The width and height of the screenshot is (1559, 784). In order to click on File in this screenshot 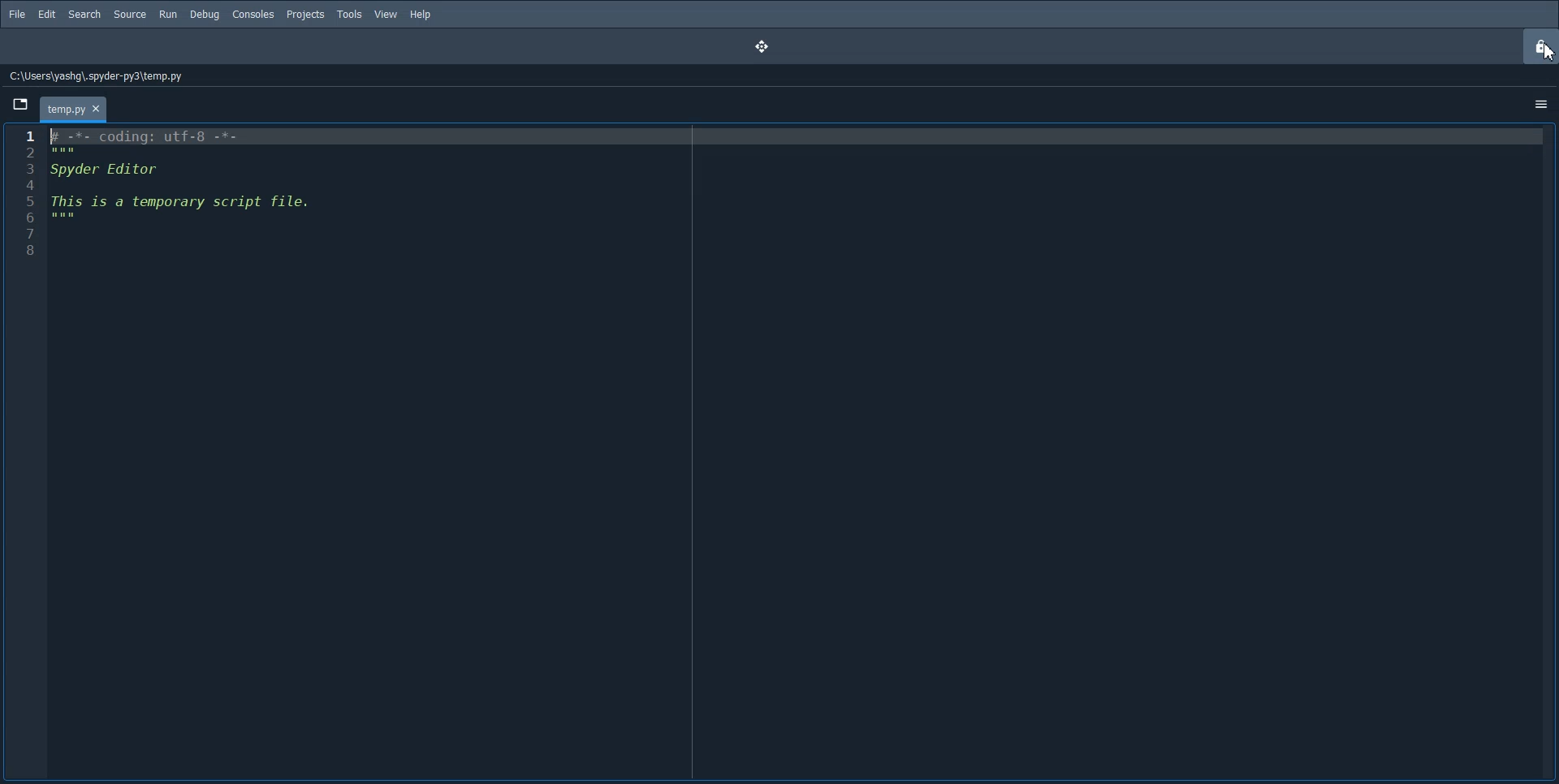, I will do `click(17, 14)`.